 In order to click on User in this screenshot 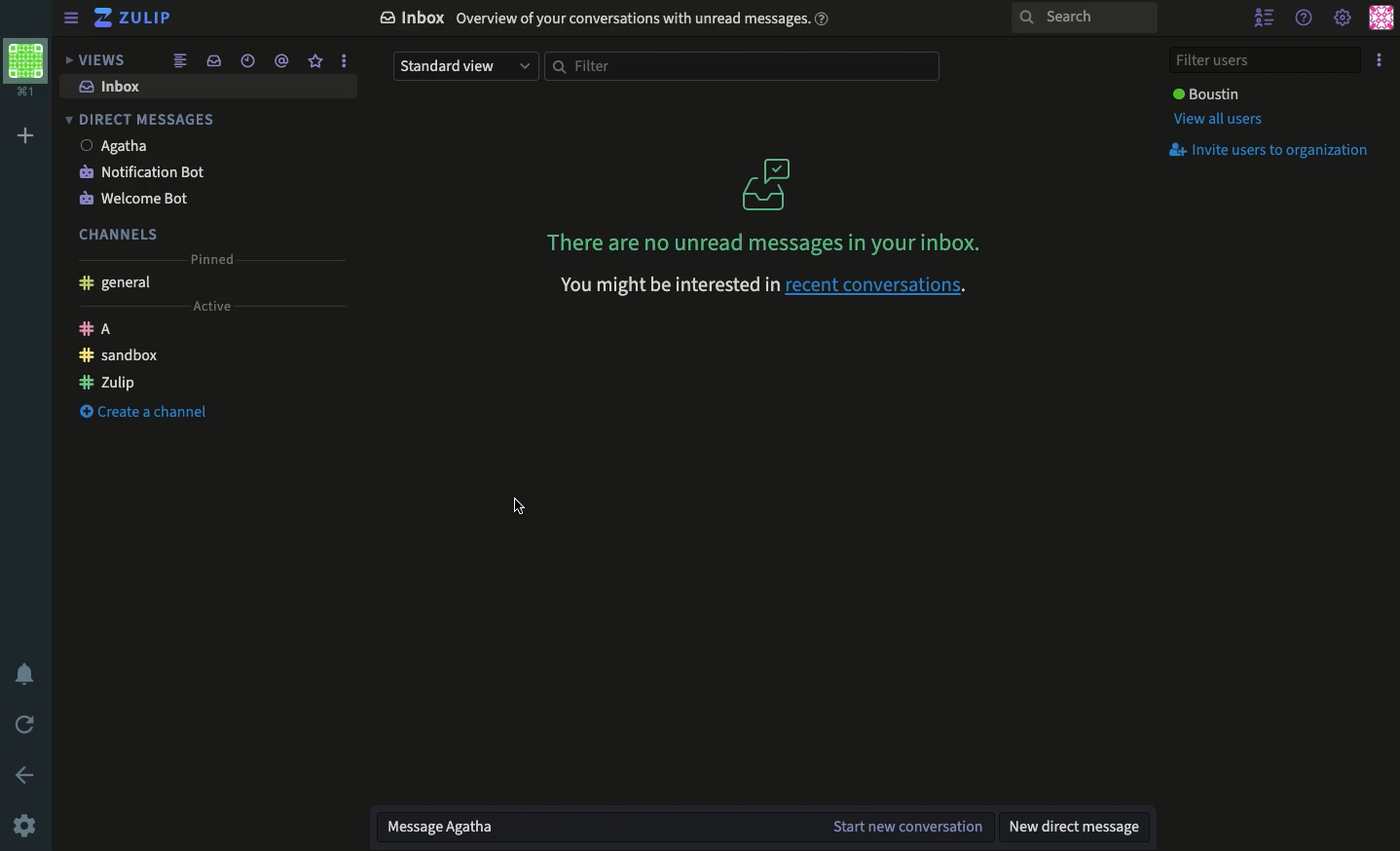, I will do `click(1208, 93)`.